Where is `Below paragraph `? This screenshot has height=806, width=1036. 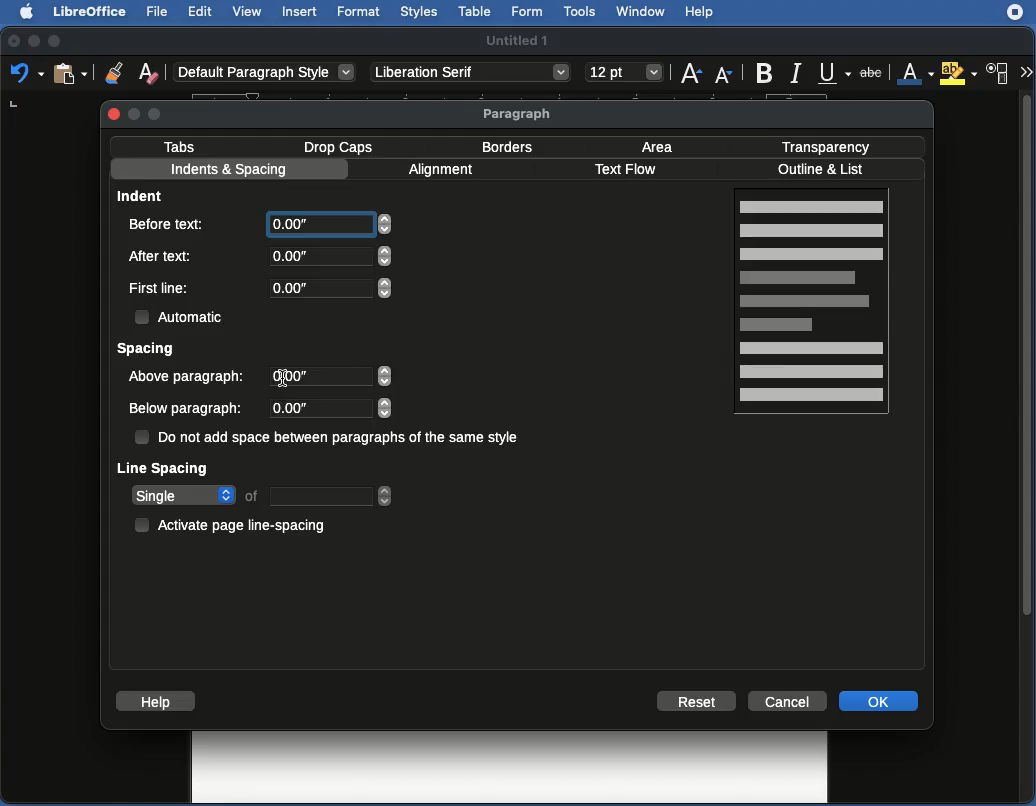 Below paragraph  is located at coordinates (186, 409).